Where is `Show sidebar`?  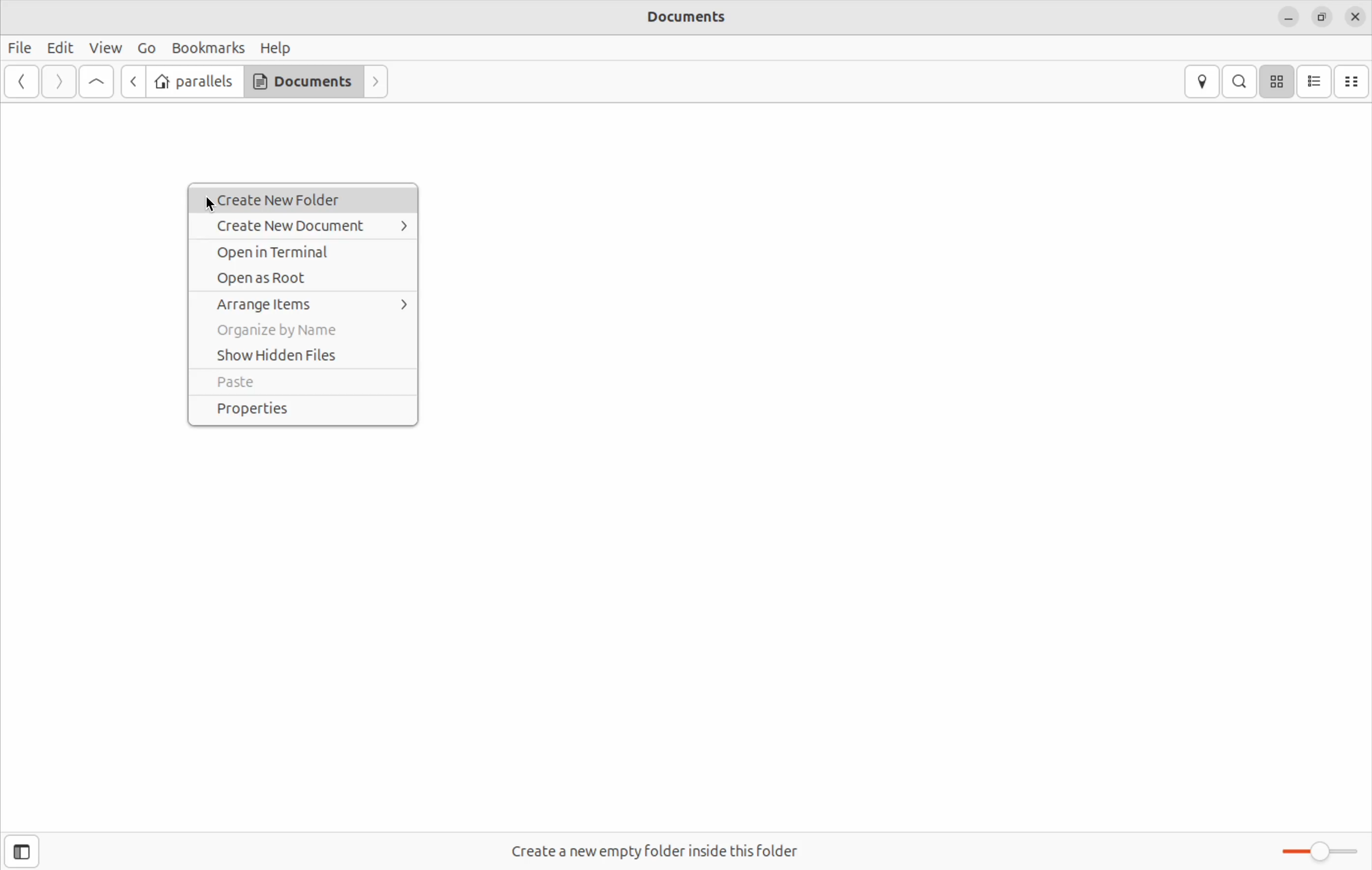
Show sidebar is located at coordinates (28, 849).